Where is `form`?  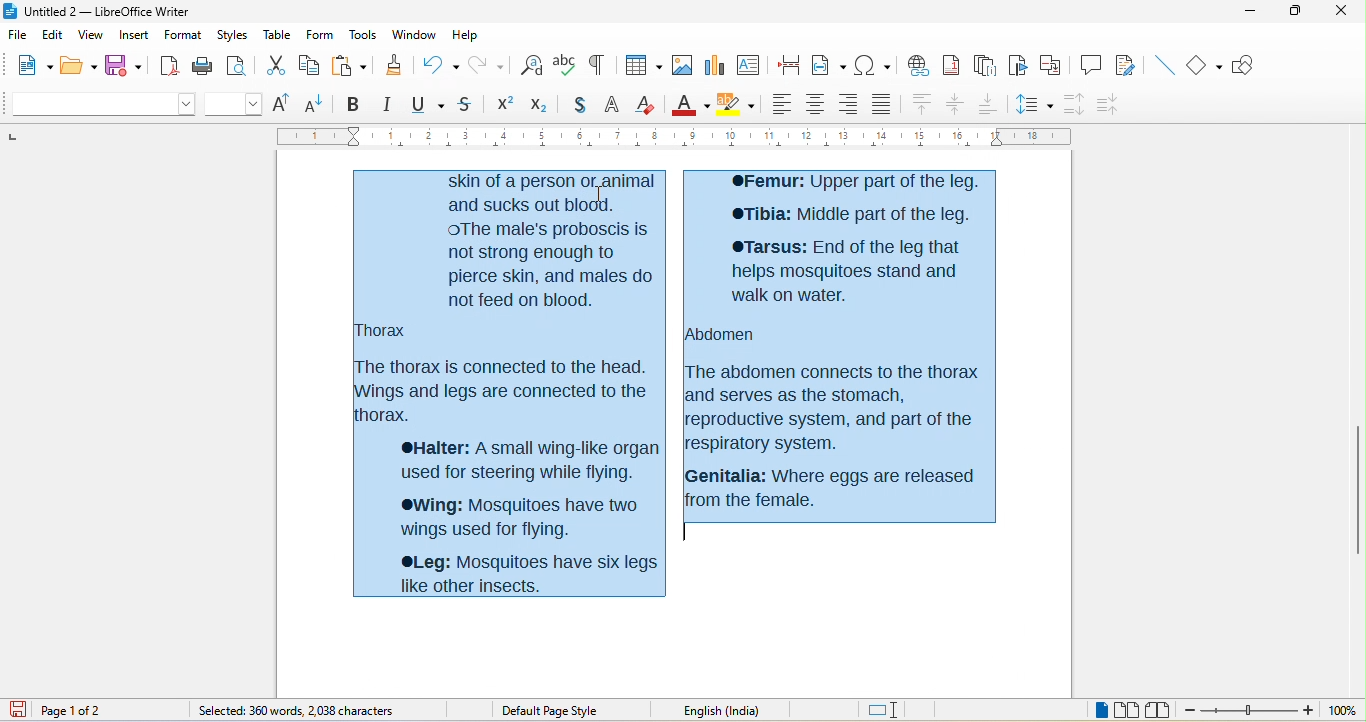 form is located at coordinates (318, 33).